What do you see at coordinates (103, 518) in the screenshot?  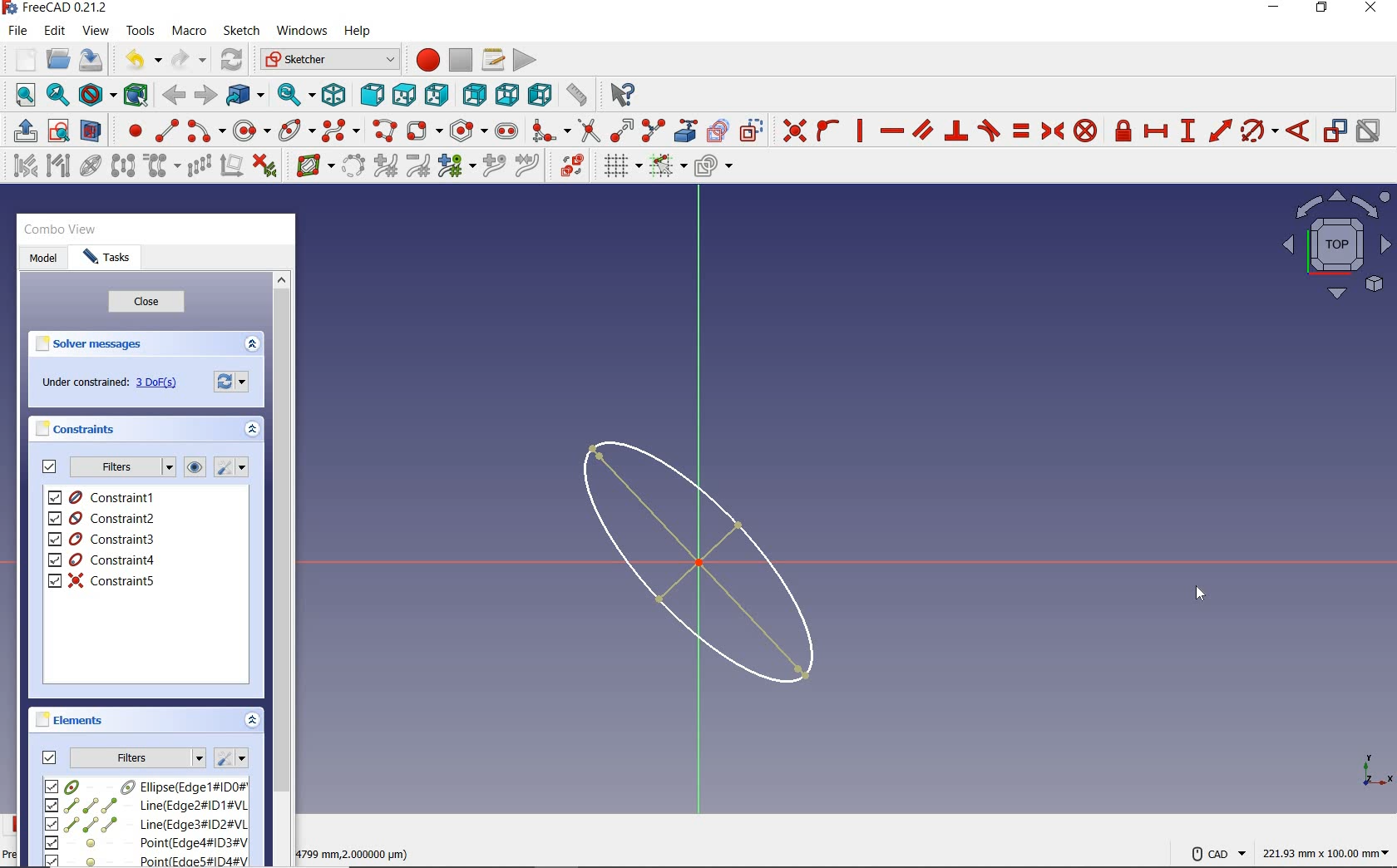 I see `constraint2` at bounding box center [103, 518].